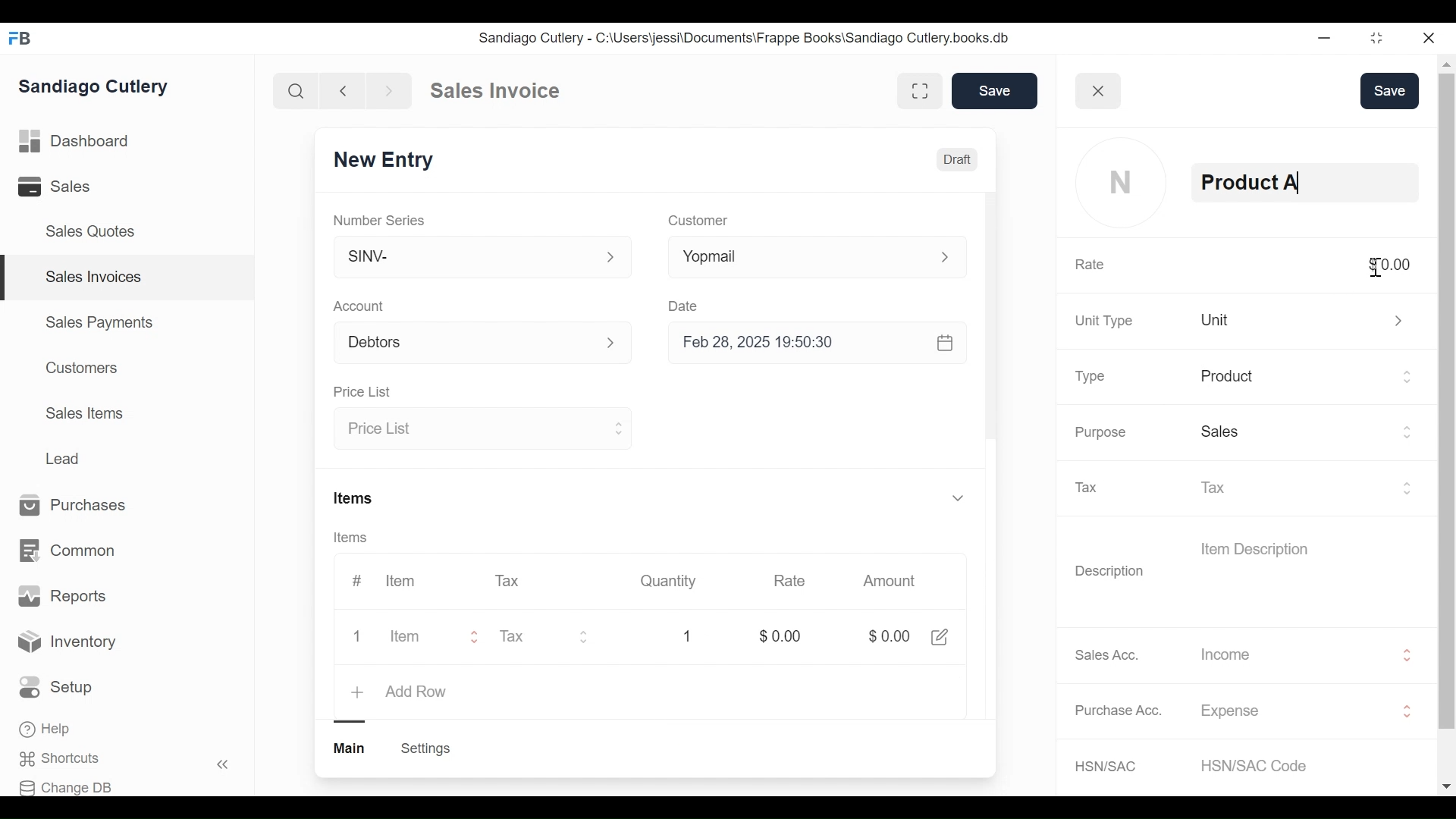  What do you see at coordinates (1262, 765) in the screenshot?
I see `HSN/SAC Code` at bounding box center [1262, 765].